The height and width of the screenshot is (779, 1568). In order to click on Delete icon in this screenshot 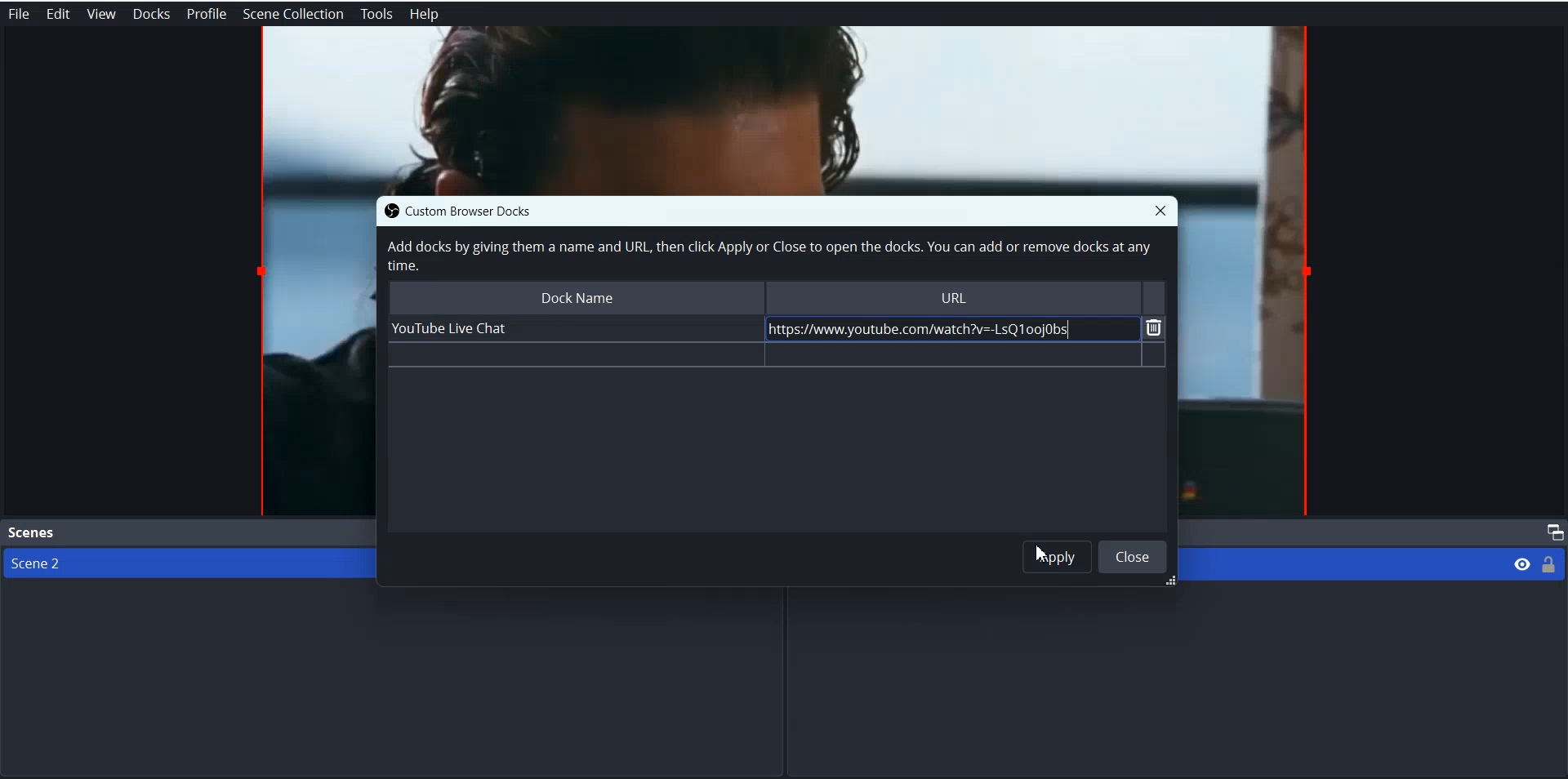, I will do `click(1155, 327)`.